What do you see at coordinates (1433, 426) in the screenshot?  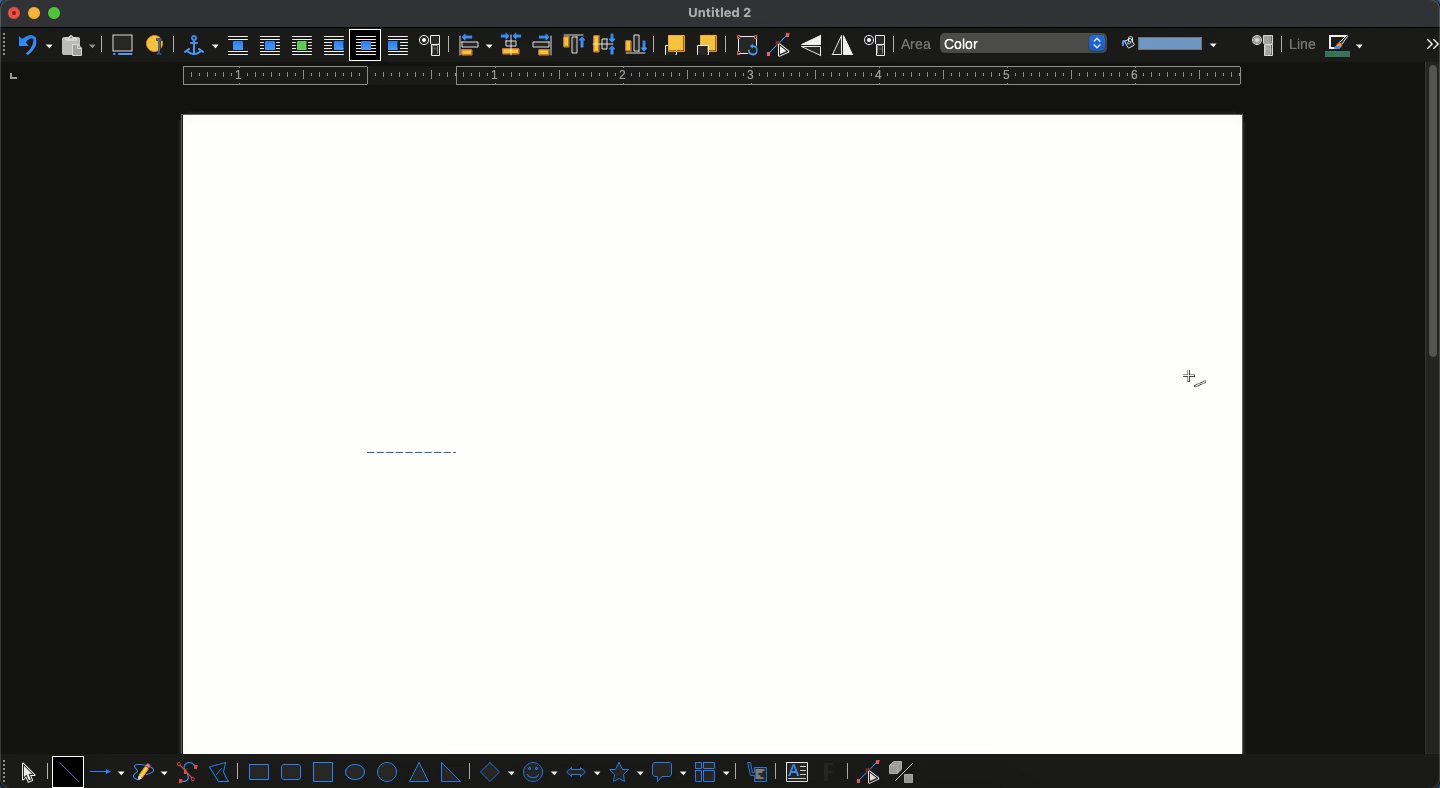 I see `scroll` at bounding box center [1433, 426].